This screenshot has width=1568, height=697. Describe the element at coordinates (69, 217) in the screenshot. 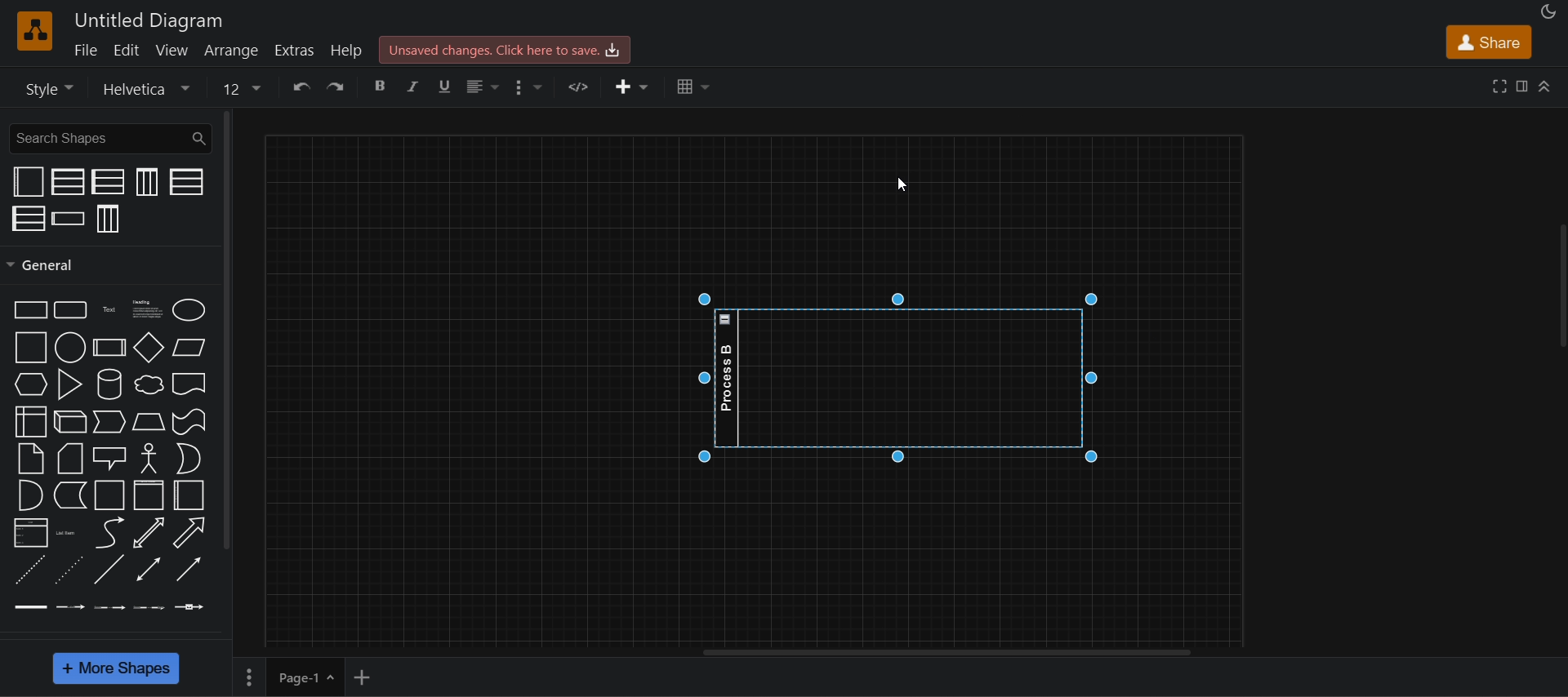

I see `horizontal swim lane` at that location.